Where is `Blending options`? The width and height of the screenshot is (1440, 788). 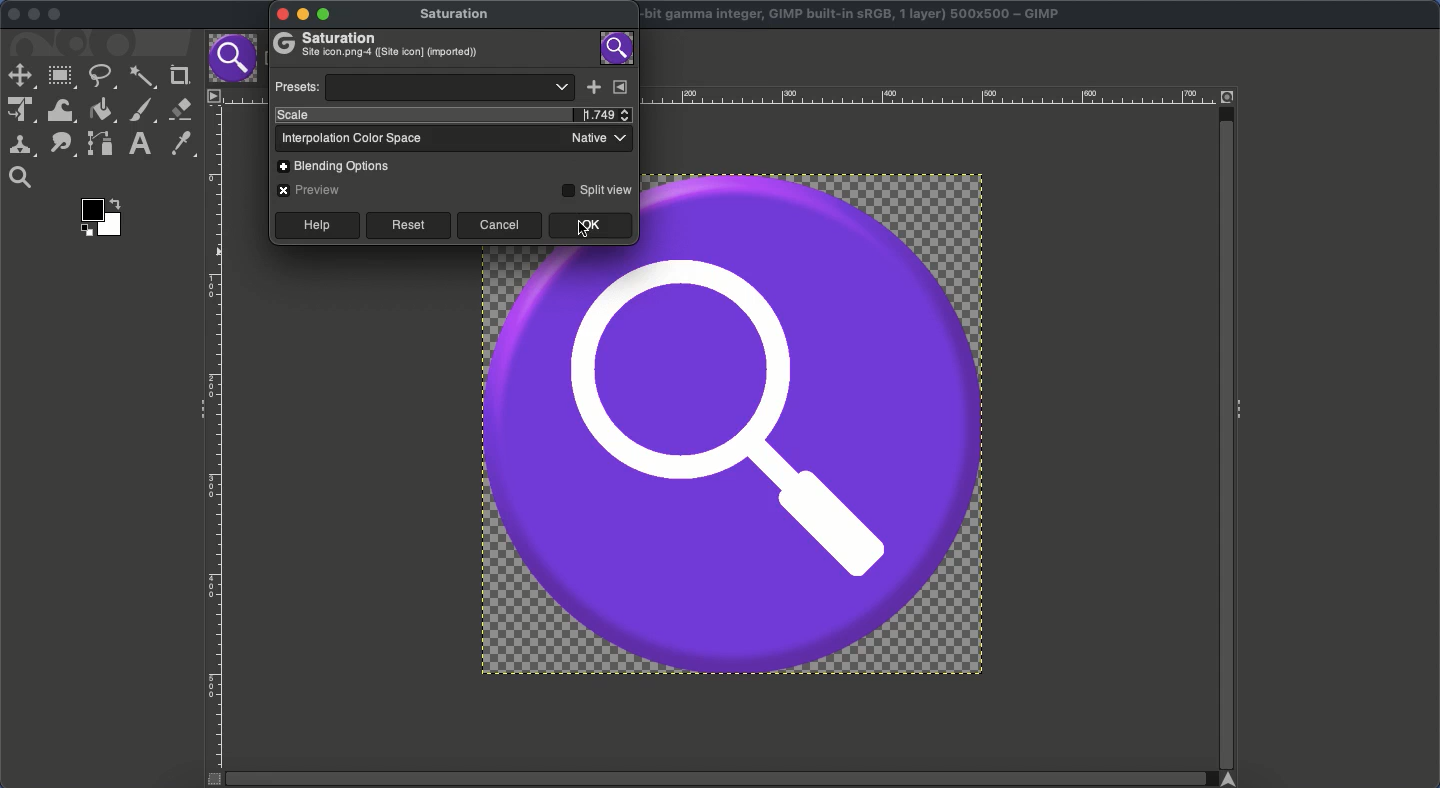
Blending options is located at coordinates (341, 165).